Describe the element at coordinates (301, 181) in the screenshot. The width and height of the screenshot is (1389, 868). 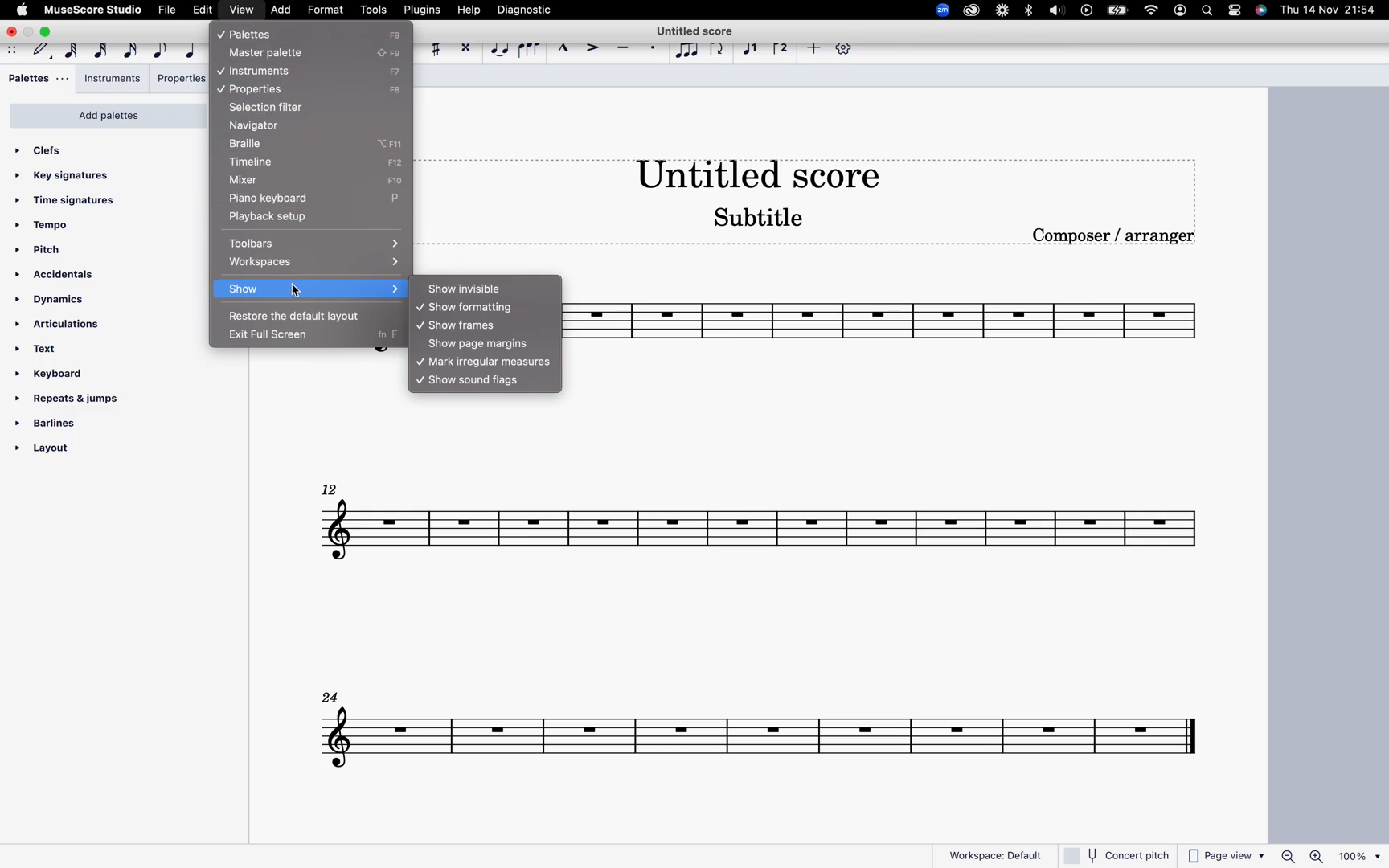
I see `mixer` at that location.